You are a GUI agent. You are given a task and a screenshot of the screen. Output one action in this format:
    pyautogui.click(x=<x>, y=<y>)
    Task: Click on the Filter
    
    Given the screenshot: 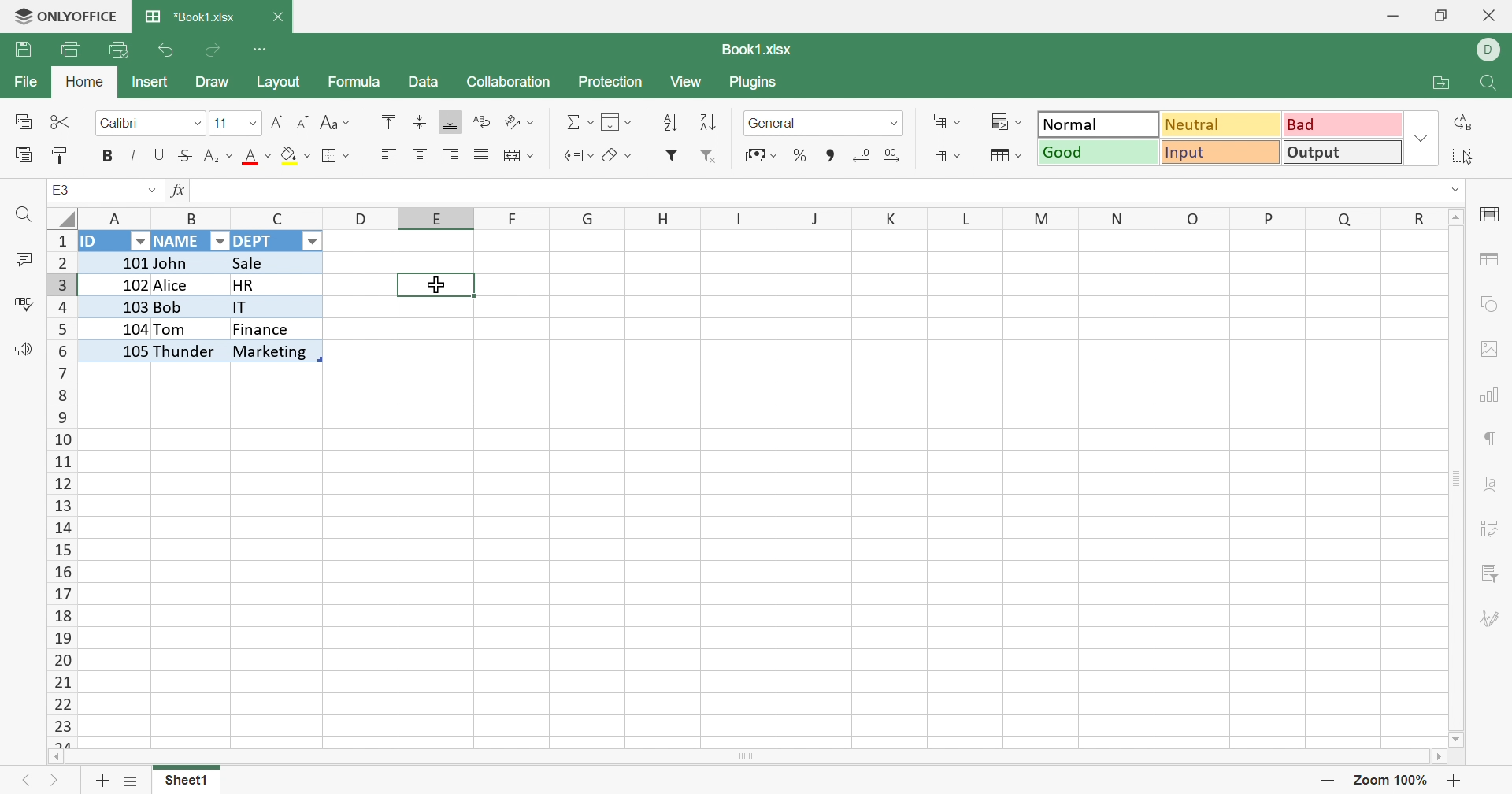 What is the action you would take?
    pyautogui.click(x=673, y=156)
    